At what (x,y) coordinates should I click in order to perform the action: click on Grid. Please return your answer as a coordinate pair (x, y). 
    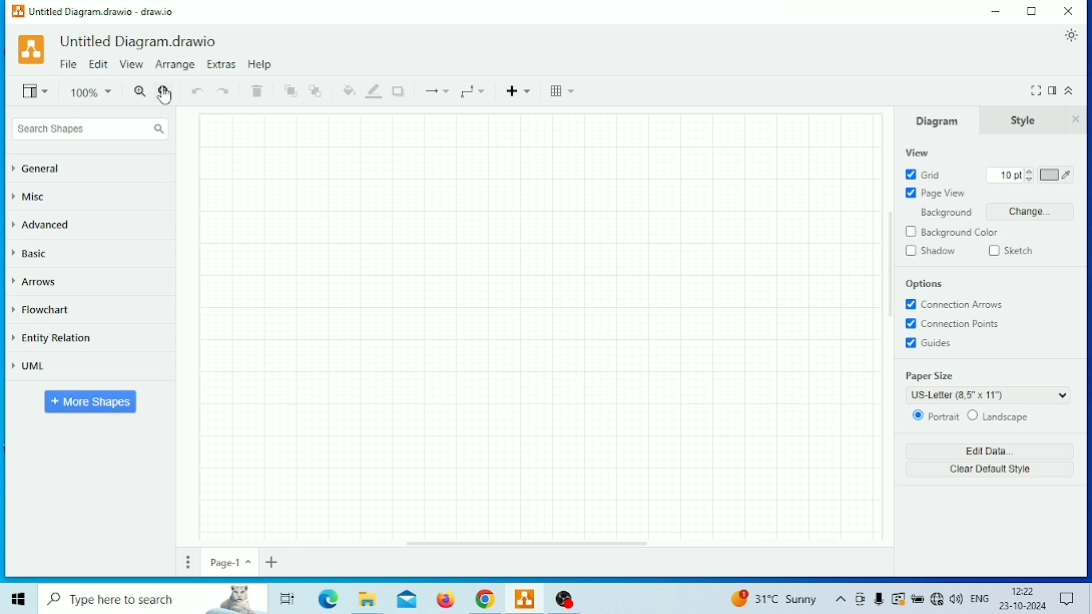
    Looking at the image, I should click on (923, 175).